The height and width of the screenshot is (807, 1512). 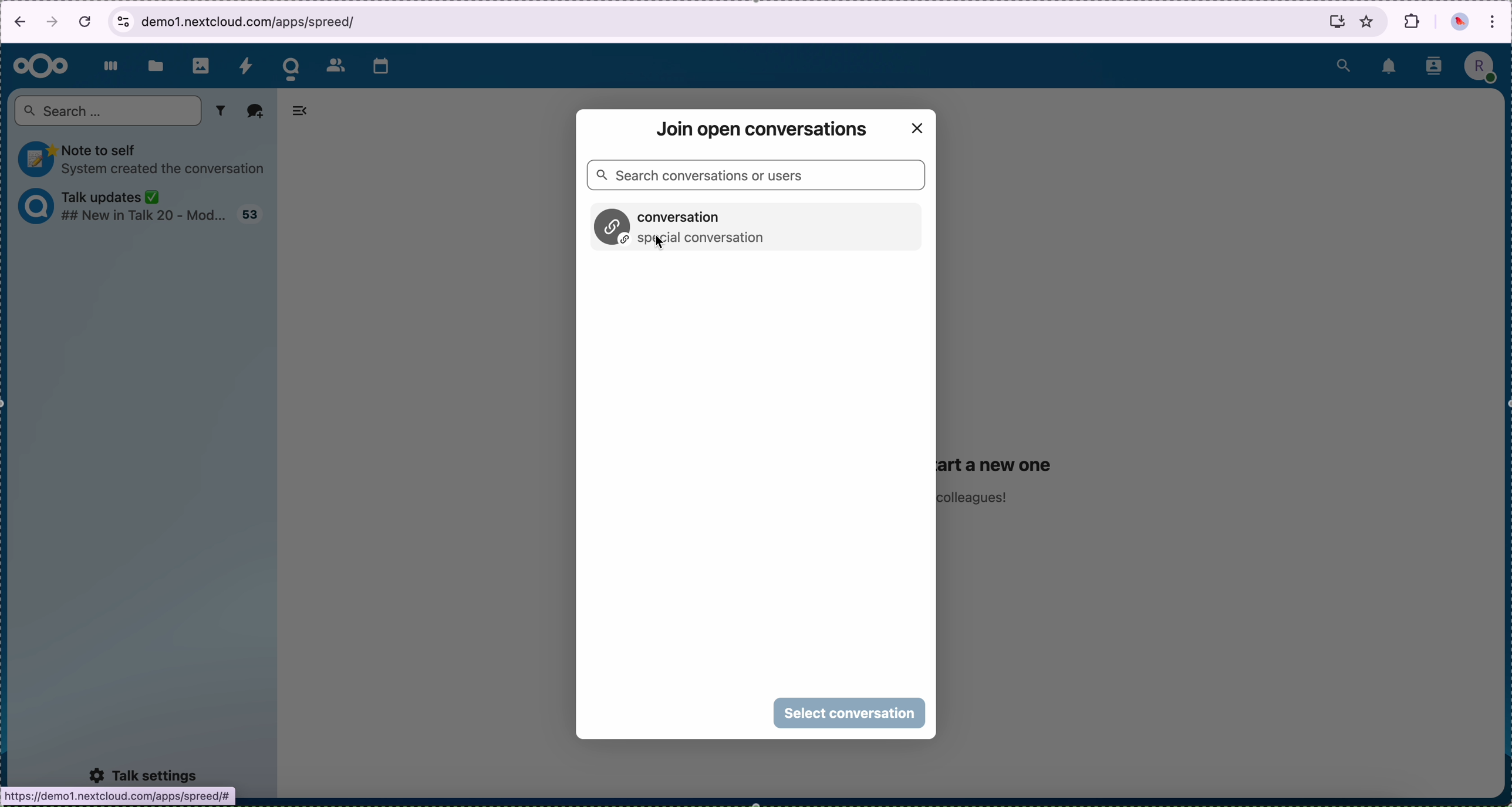 What do you see at coordinates (144, 776) in the screenshot?
I see `talk settings` at bounding box center [144, 776].